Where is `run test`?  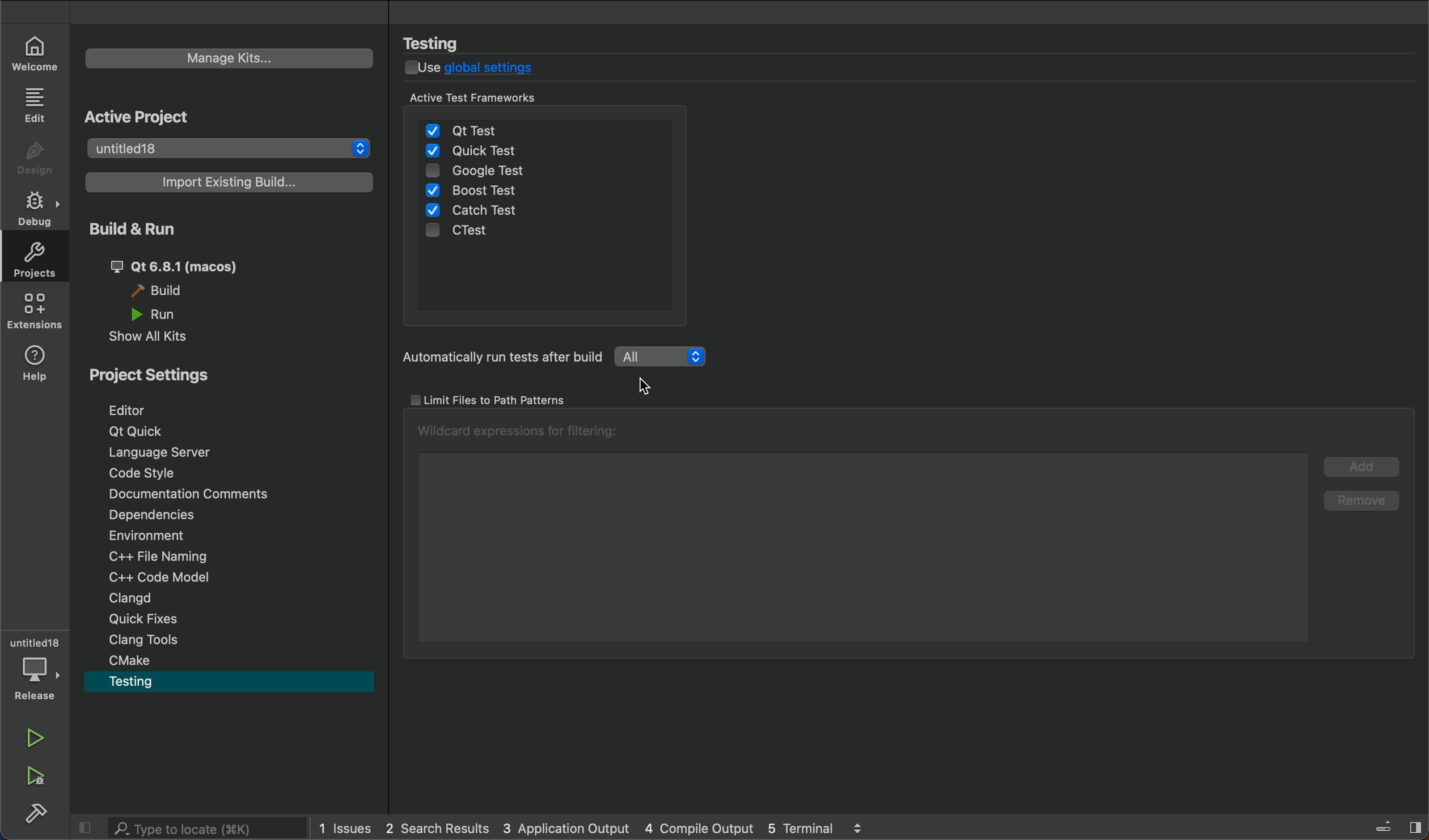 run test is located at coordinates (498, 358).